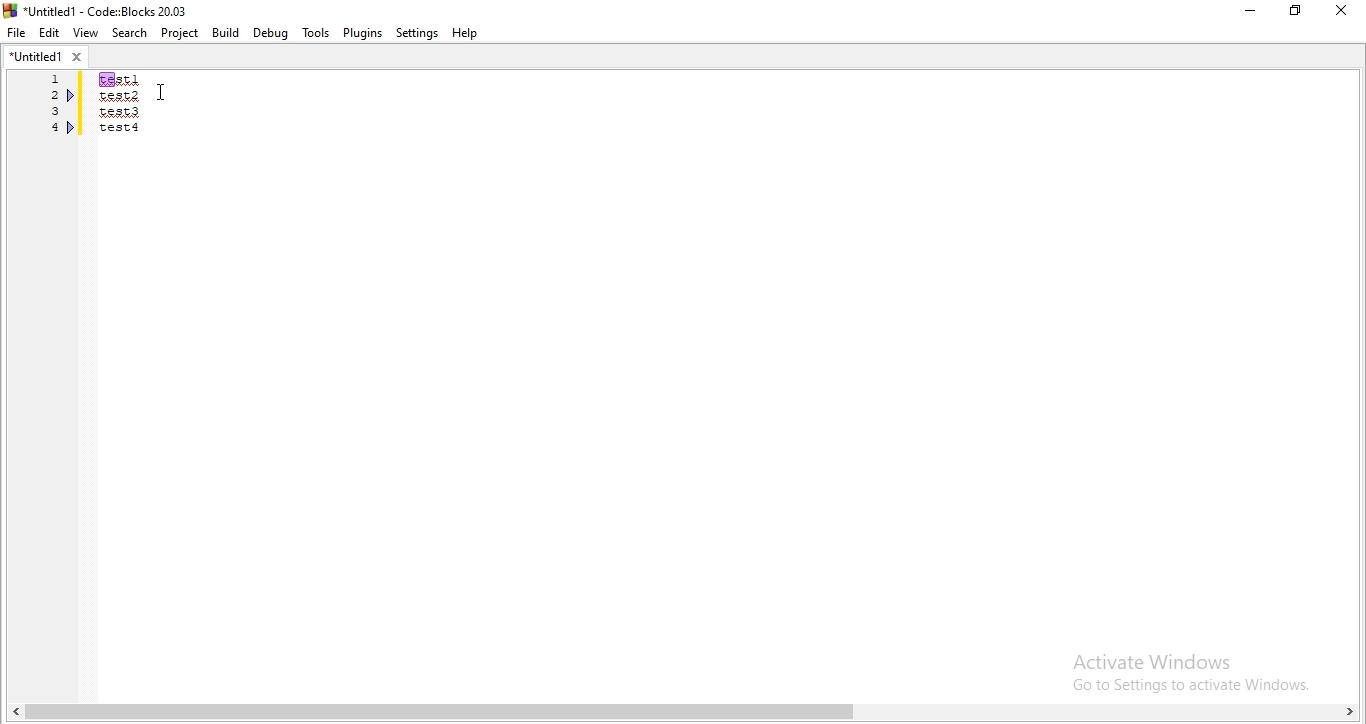 The height and width of the screenshot is (724, 1366). Describe the element at coordinates (121, 102) in the screenshot. I see `test1/test2/test3/test4 ` at that location.